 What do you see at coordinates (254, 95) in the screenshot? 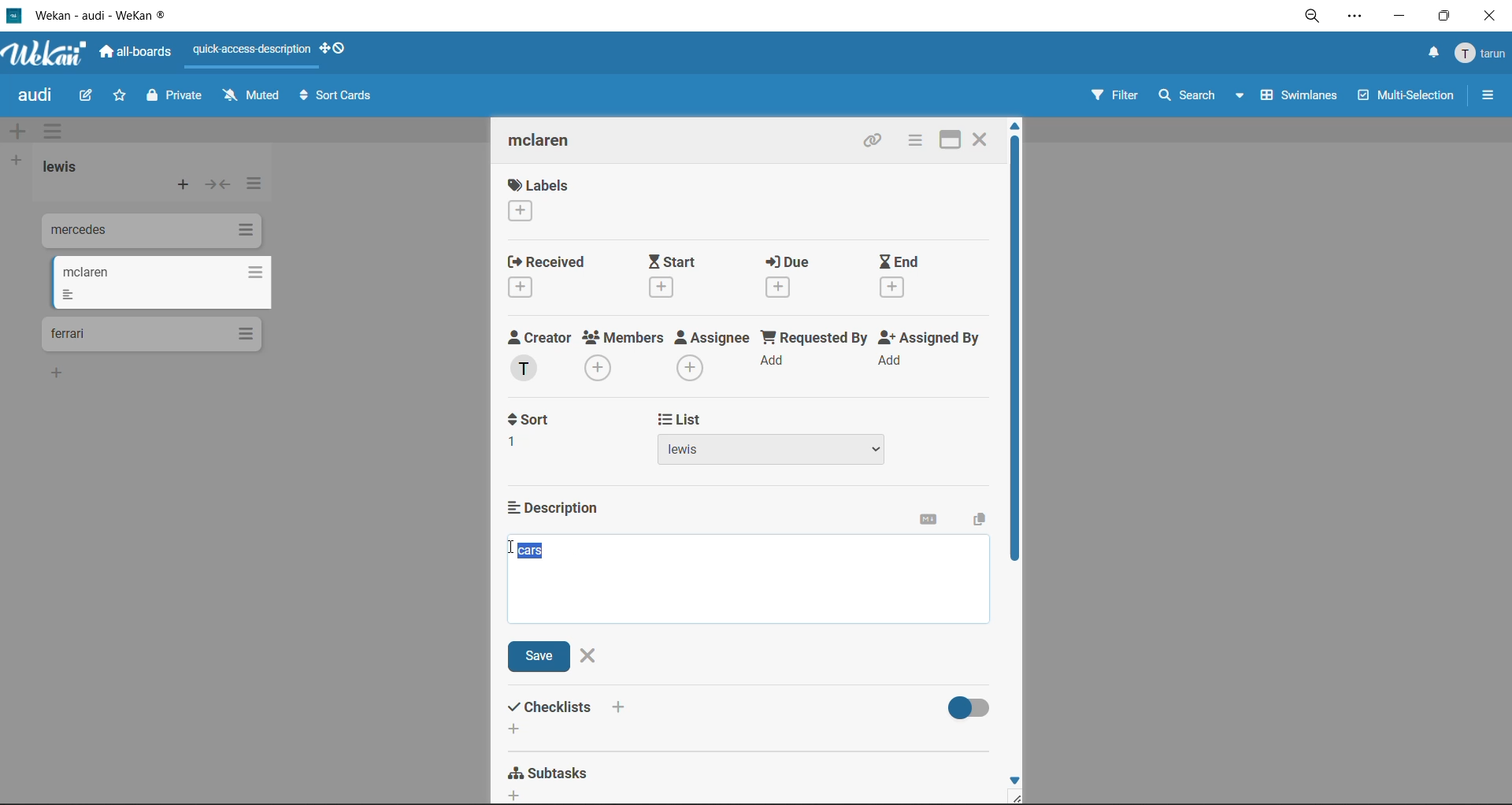
I see `muted` at bounding box center [254, 95].